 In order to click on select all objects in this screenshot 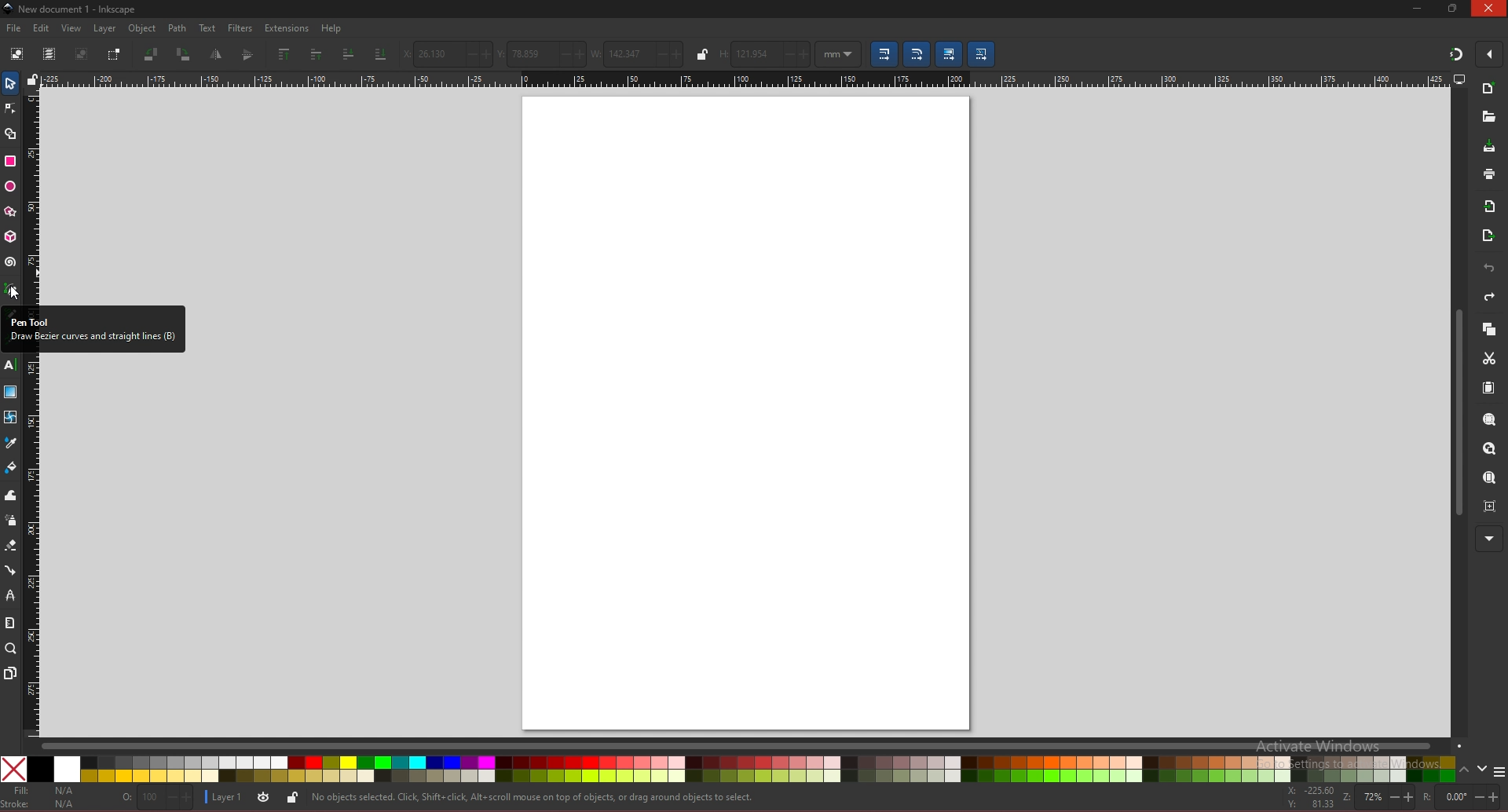, I will do `click(17, 52)`.